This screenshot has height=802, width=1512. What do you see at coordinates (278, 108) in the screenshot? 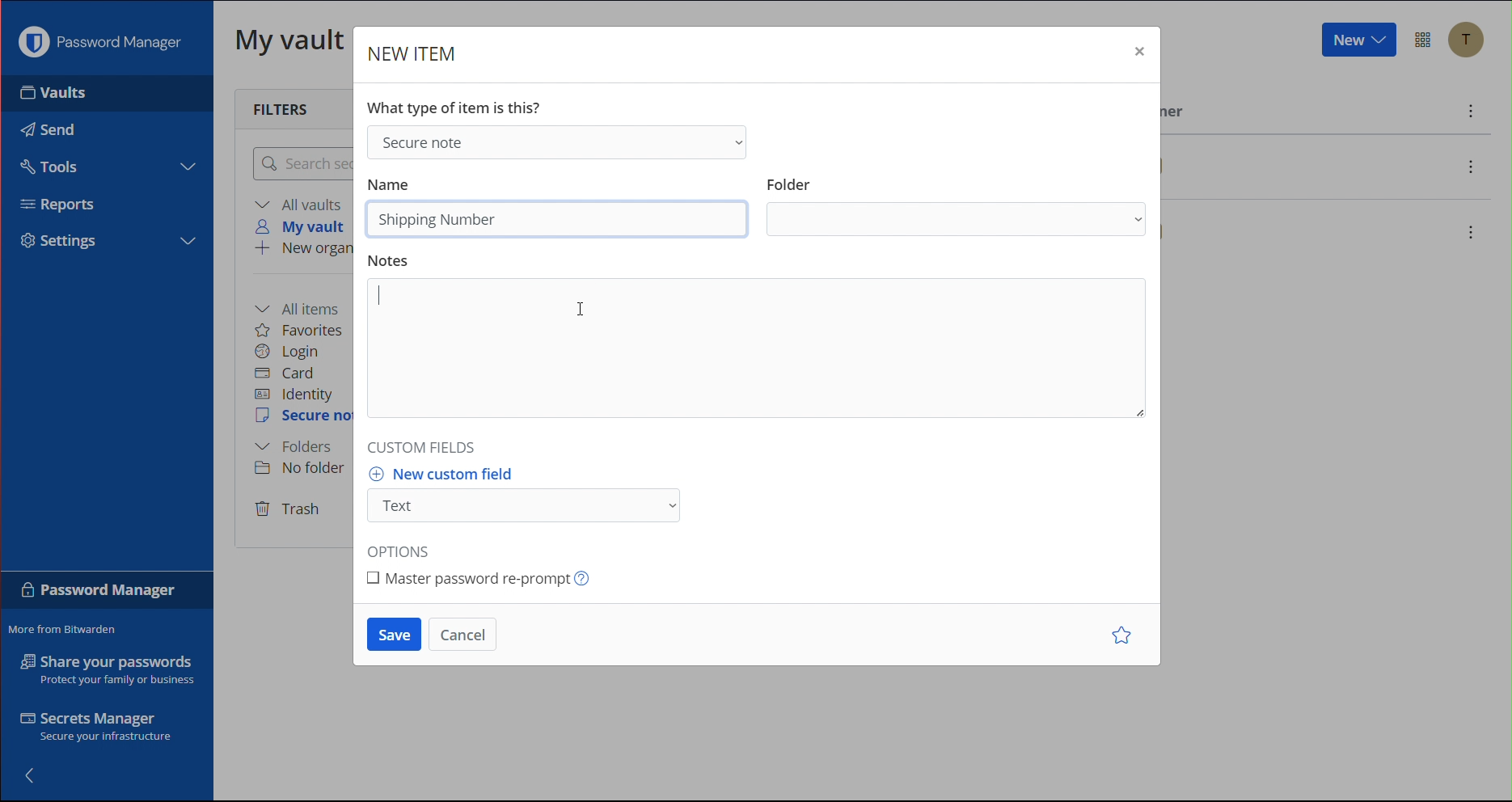
I see `Filters` at bounding box center [278, 108].